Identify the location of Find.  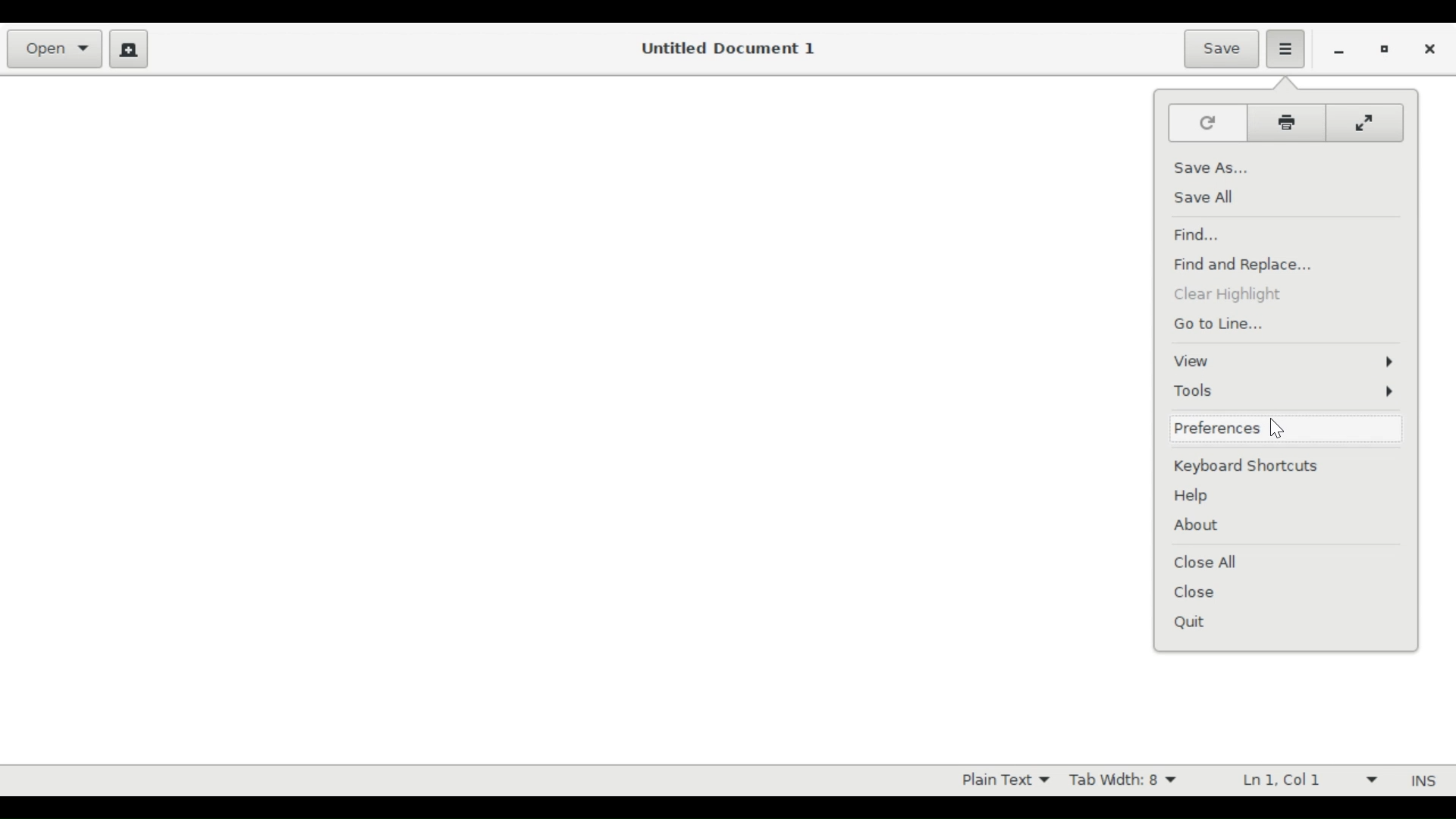
(1200, 233).